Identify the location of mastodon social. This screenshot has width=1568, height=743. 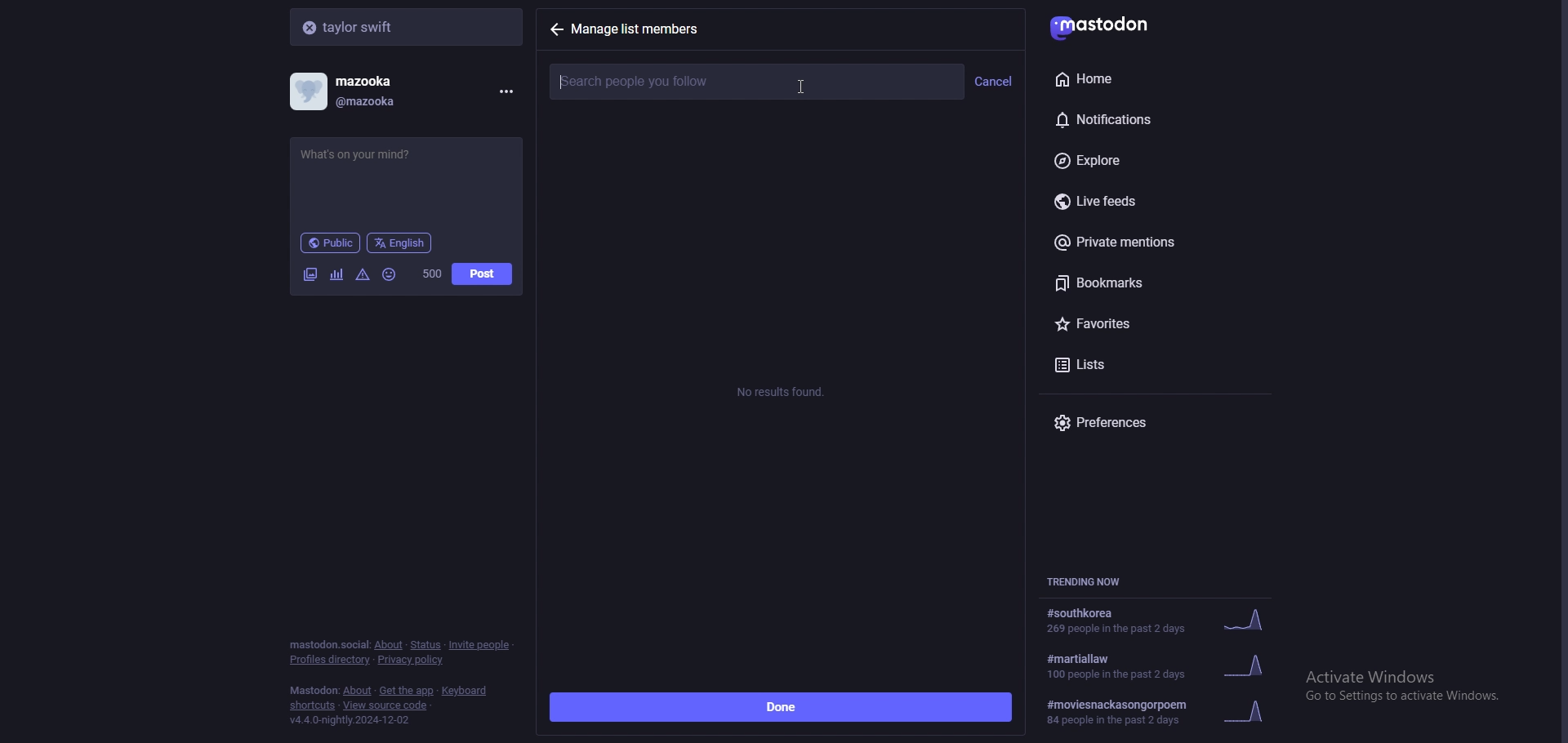
(328, 645).